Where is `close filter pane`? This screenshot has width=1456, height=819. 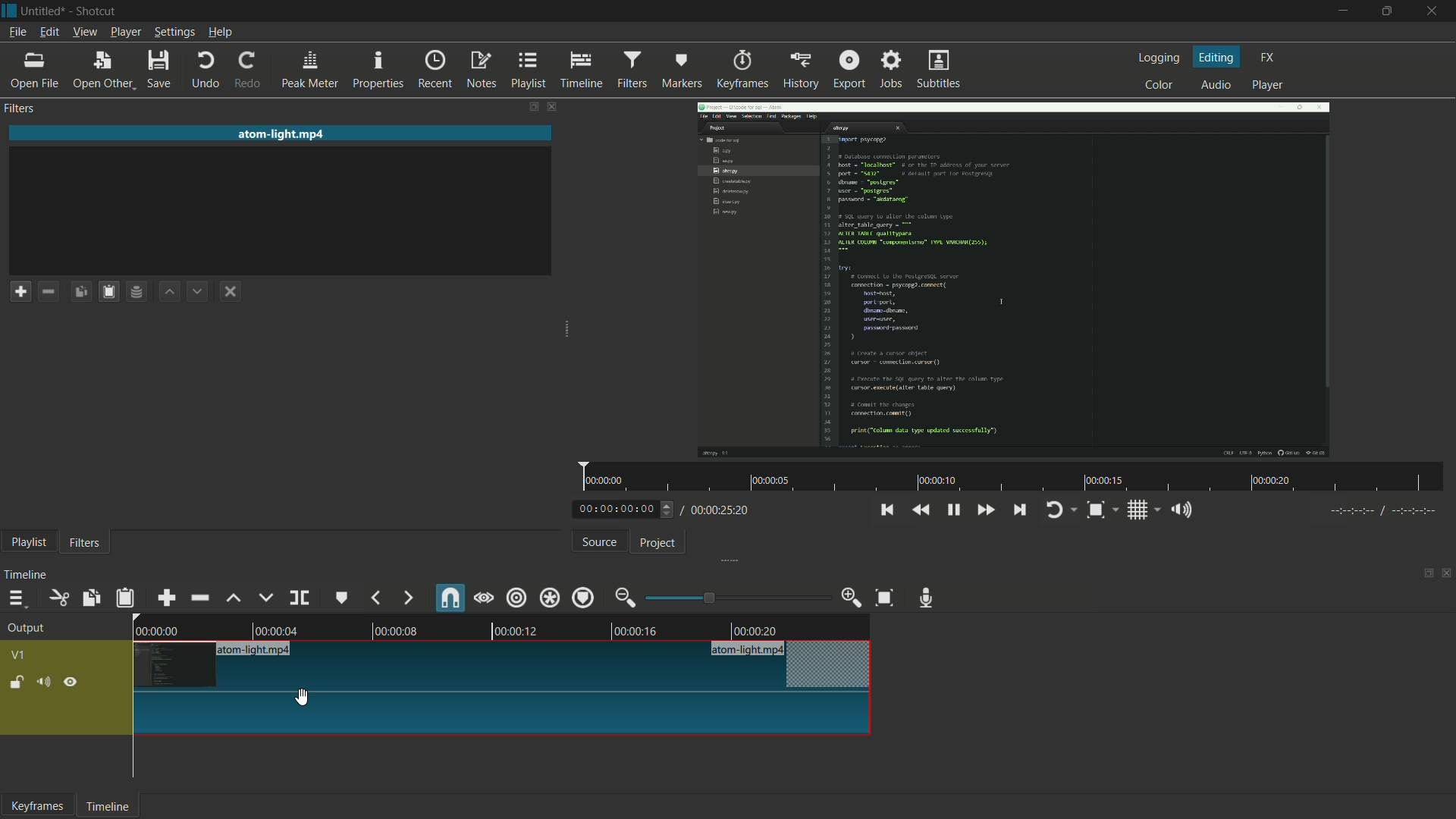
close filter pane is located at coordinates (550, 107).